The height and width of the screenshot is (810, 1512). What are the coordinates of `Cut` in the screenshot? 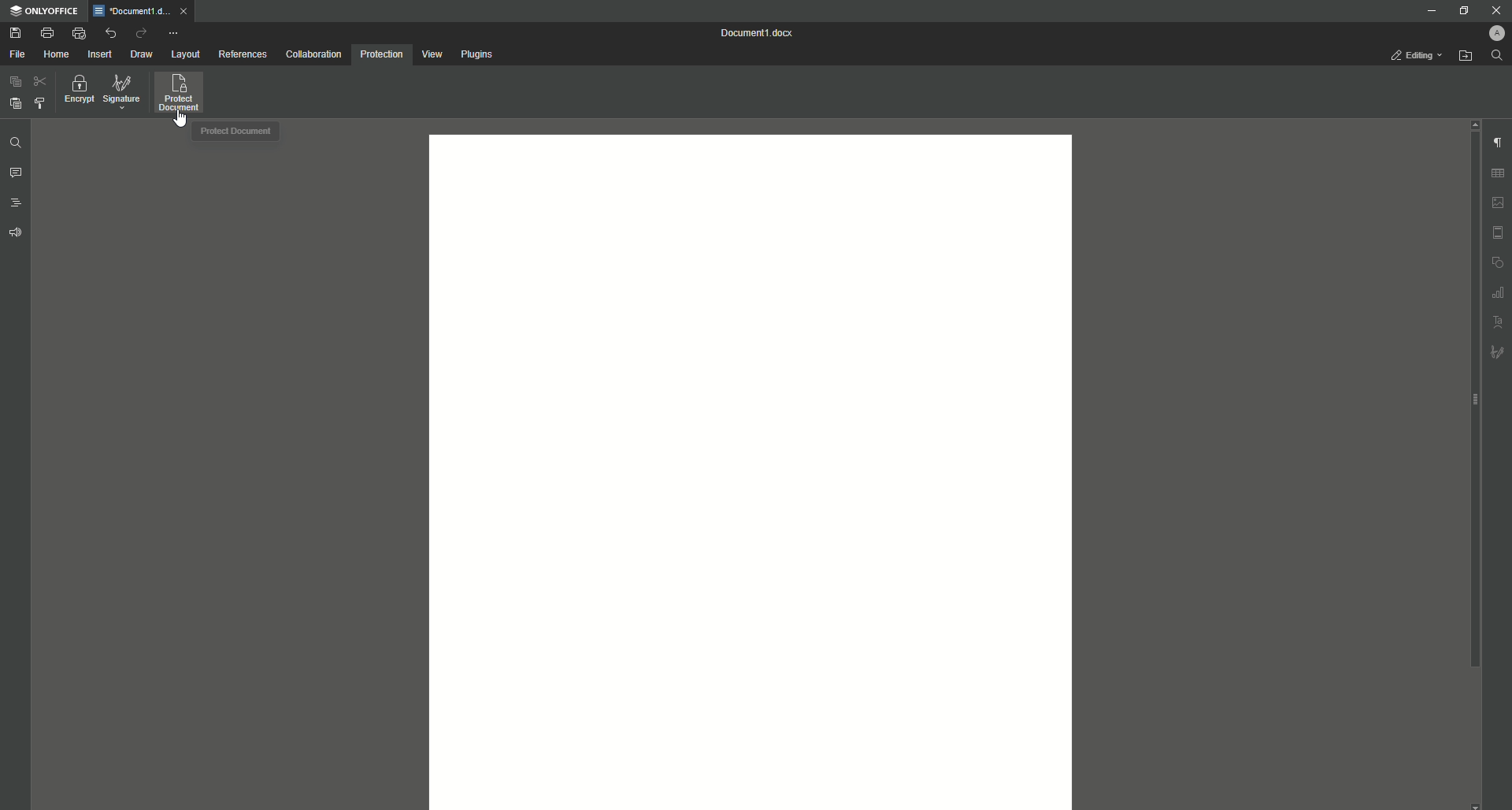 It's located at (42, 84).